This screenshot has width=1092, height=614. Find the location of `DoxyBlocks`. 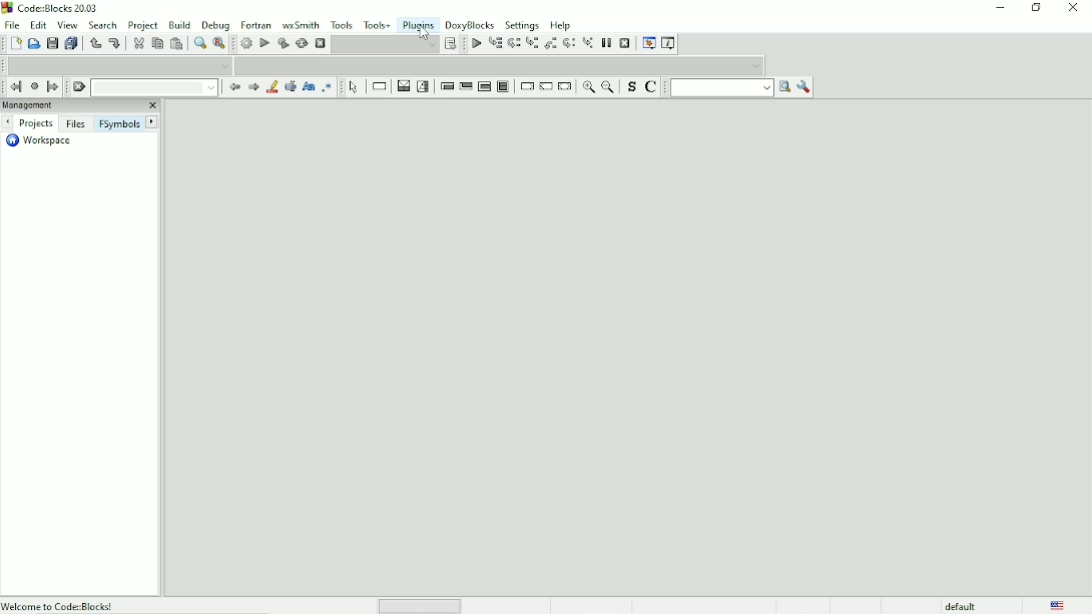

DoxyBlocks is located at coordinates (470, 24).